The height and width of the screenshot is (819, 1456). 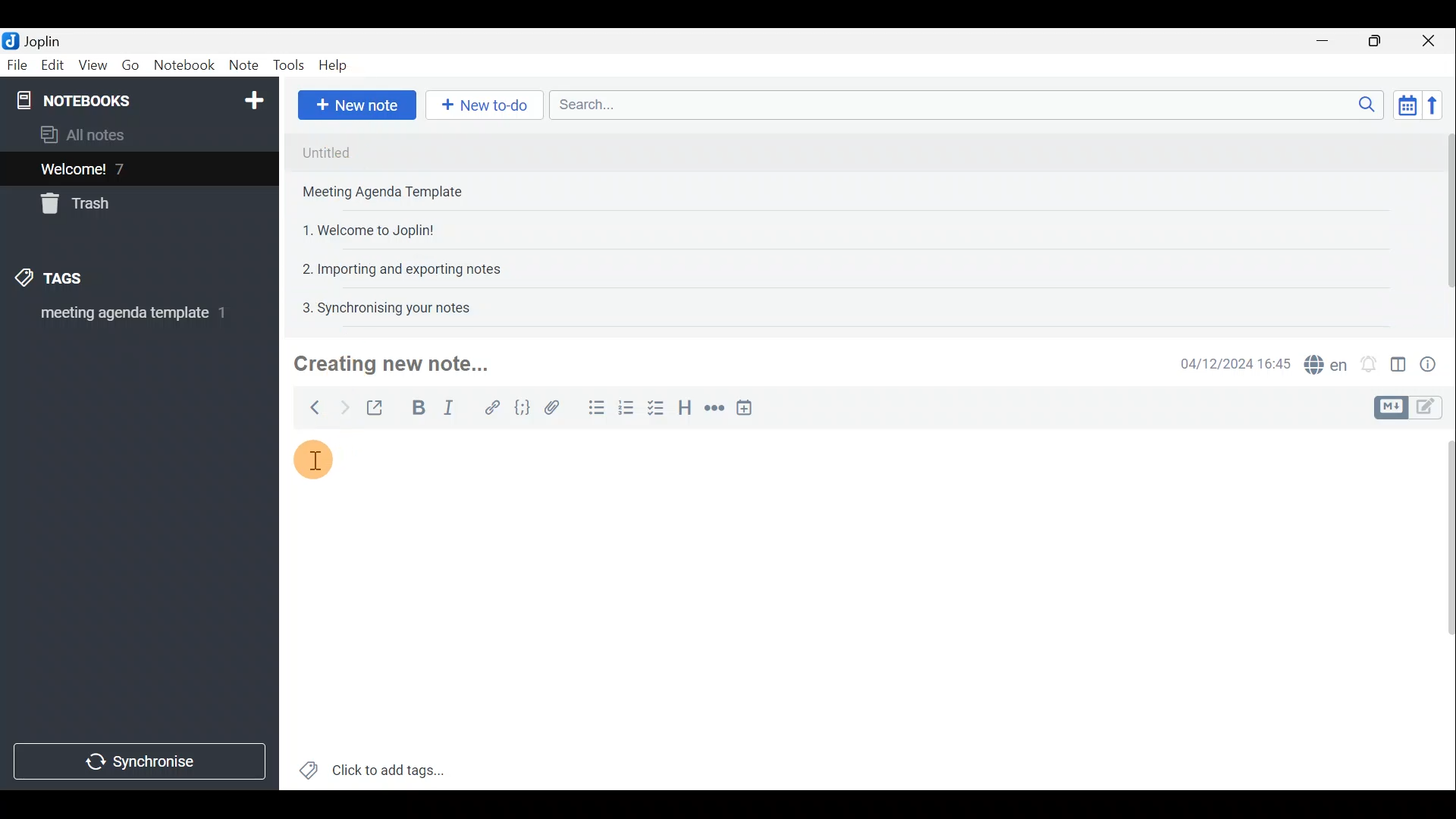 What do you see at coordinates (320, 462) in the screenshot?
I see `Cursor` at bounding box center [320, 462].